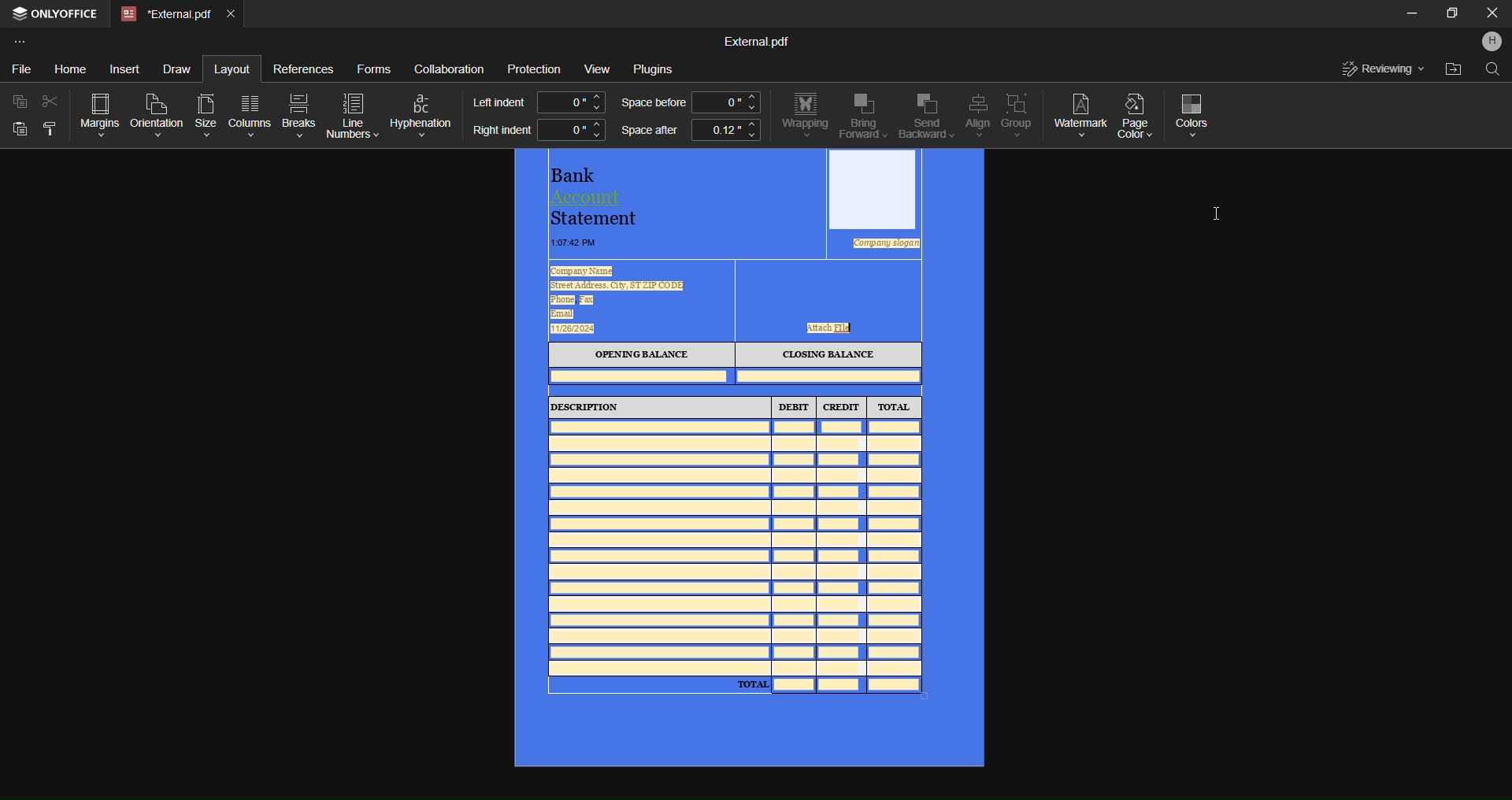 This screenshot has height=800, width=1512. Describe the element at coordinates (1489, 43) in the screenshot. I see `Profile` at that location.